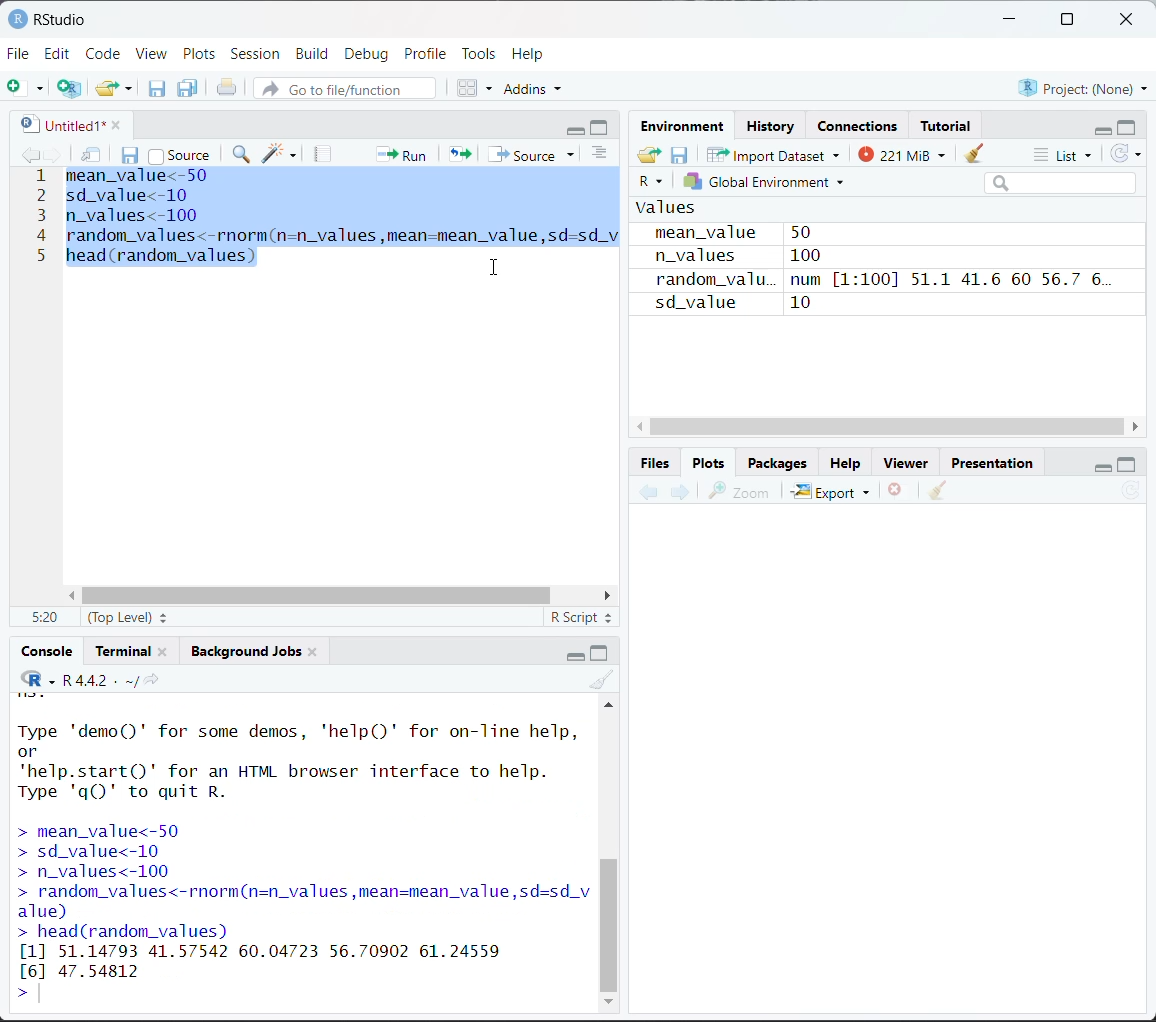 The image size is (1156, 1022). Describe the element at coordinates (938, 491) in the screenshot. I see `clear all plots` at that location.